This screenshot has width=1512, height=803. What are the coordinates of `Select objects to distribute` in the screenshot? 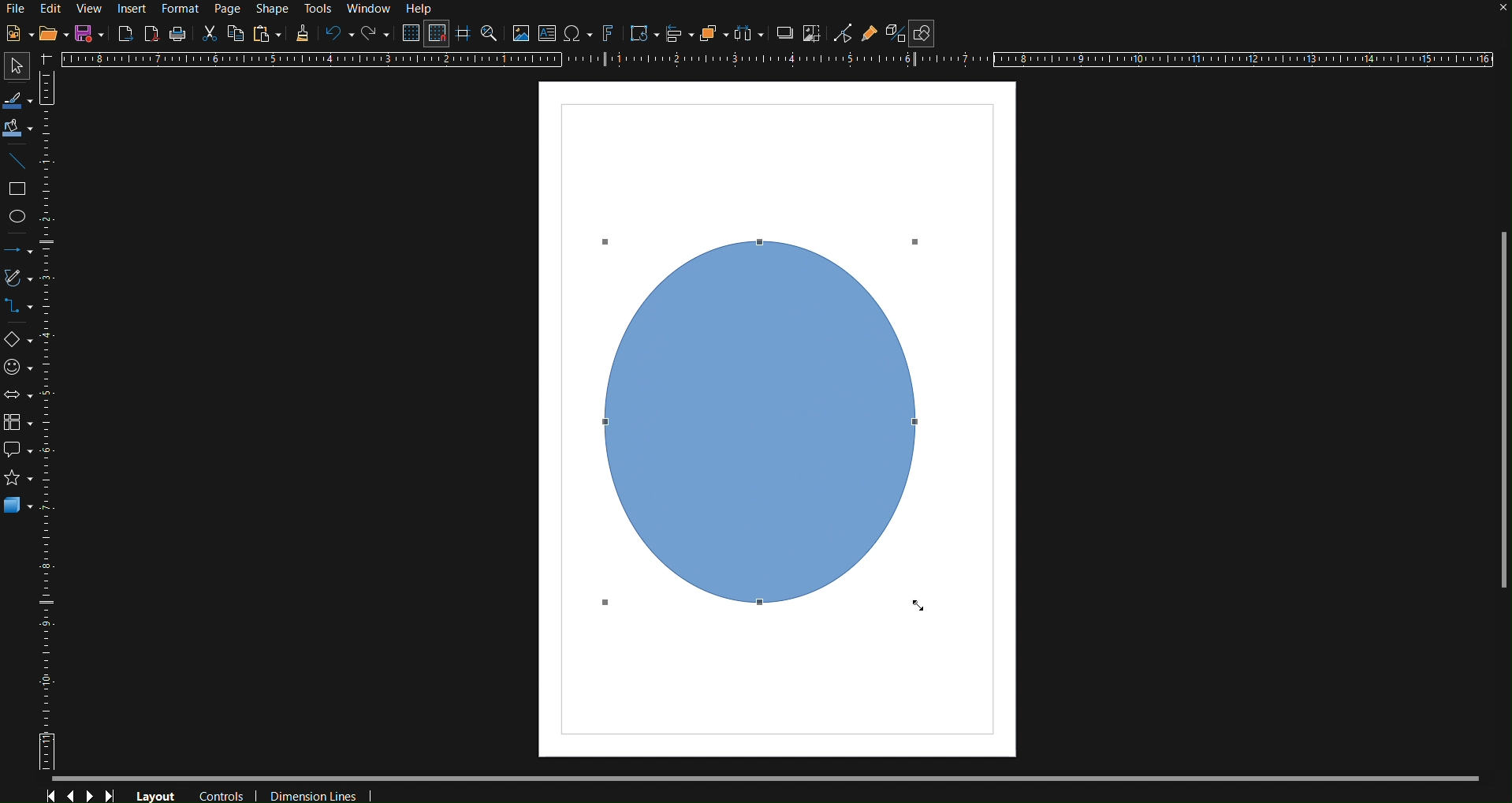 It's located at (749, 35).